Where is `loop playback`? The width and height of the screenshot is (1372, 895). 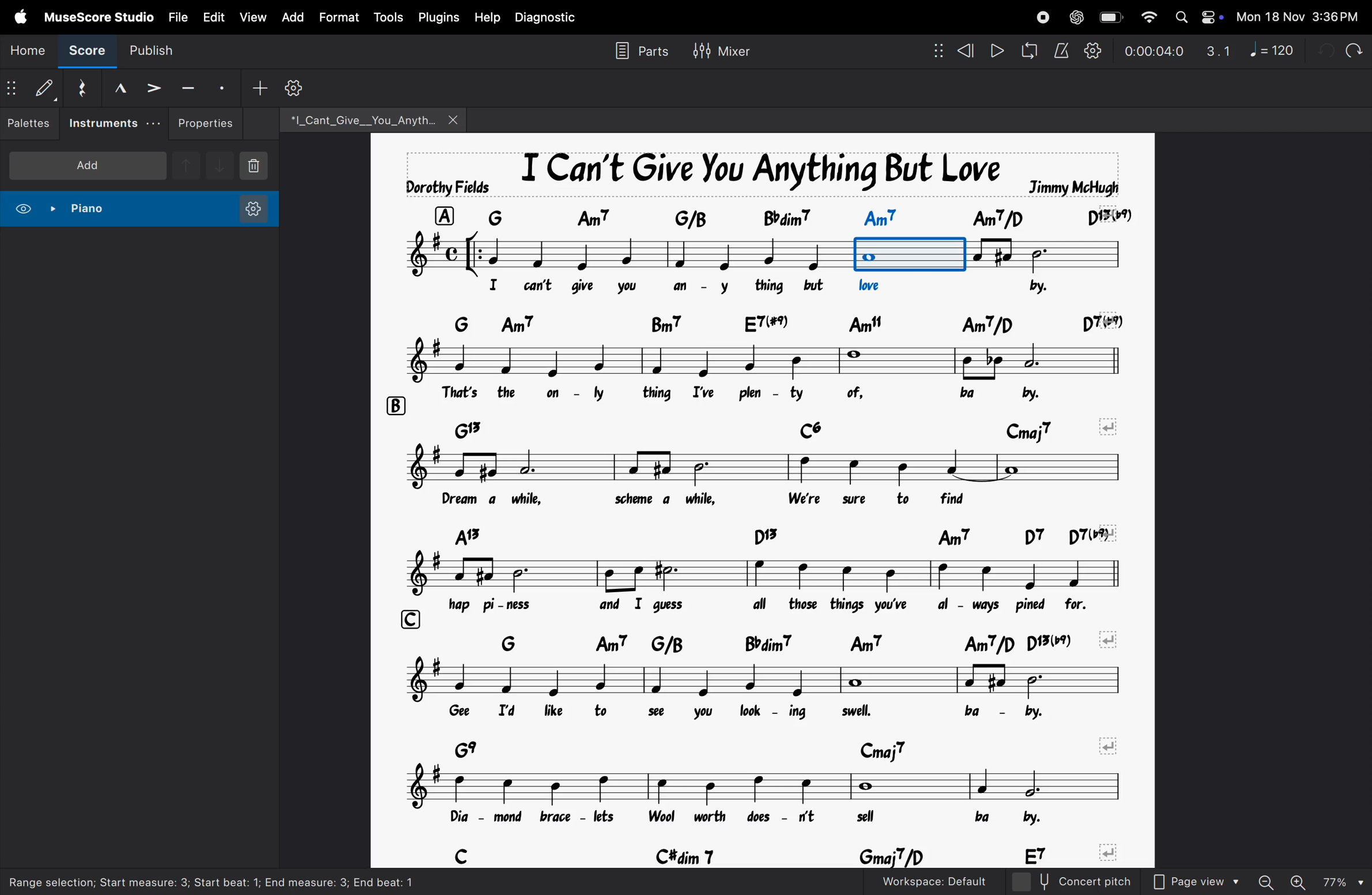 loop playback is located at coordinates (1030, 51).